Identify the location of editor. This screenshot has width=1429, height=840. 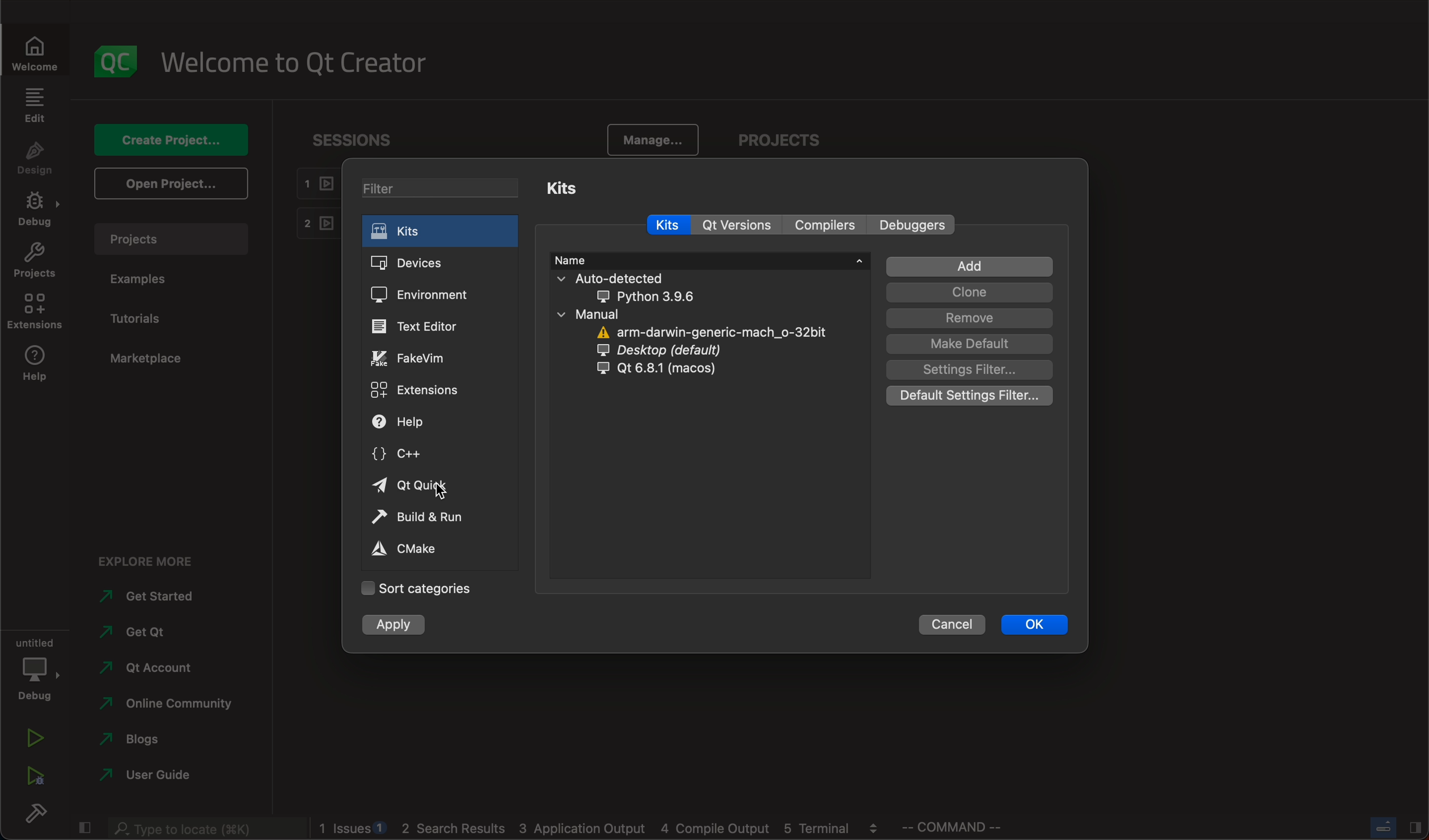
(420, 326).